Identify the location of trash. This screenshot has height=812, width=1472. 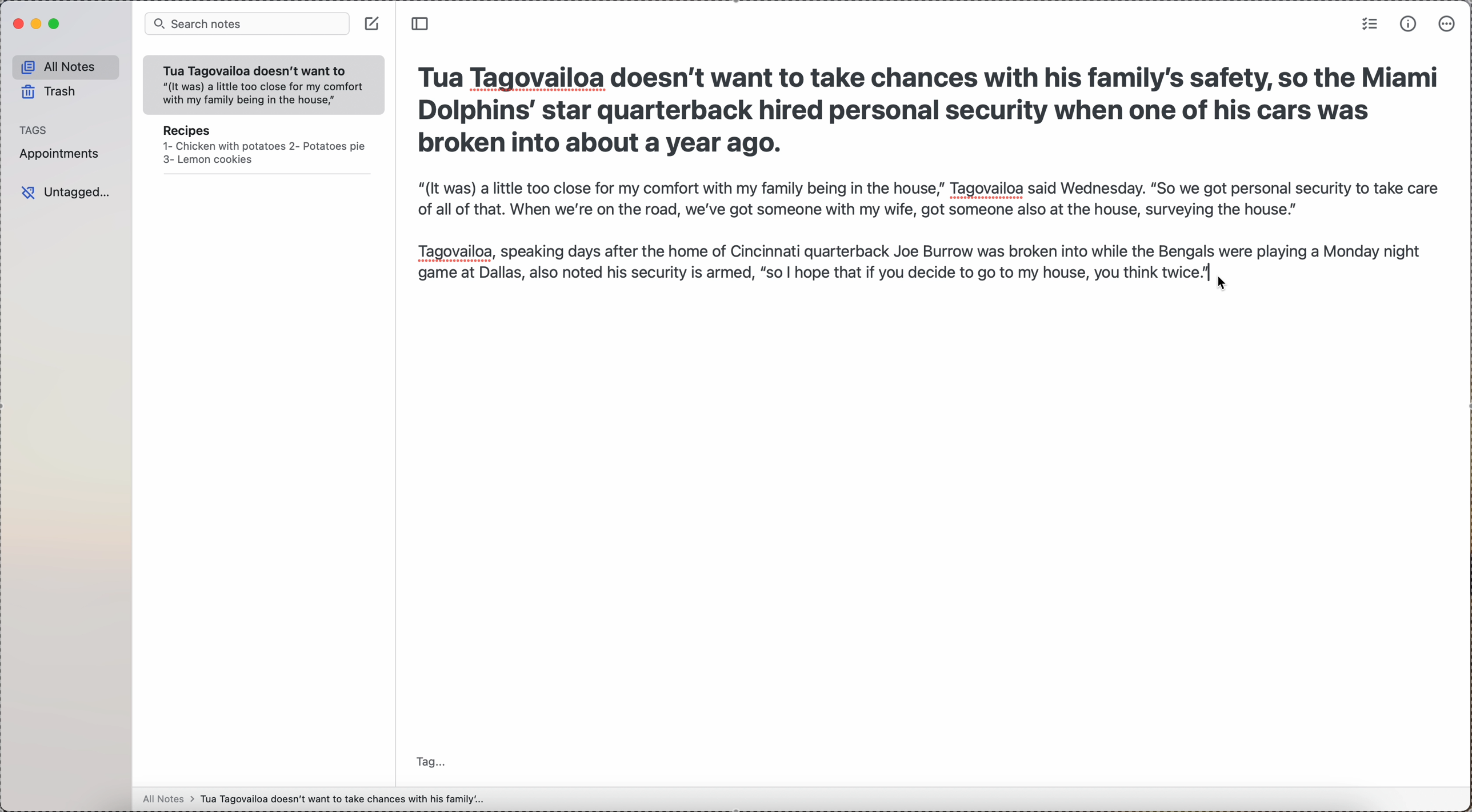
(50, 92).